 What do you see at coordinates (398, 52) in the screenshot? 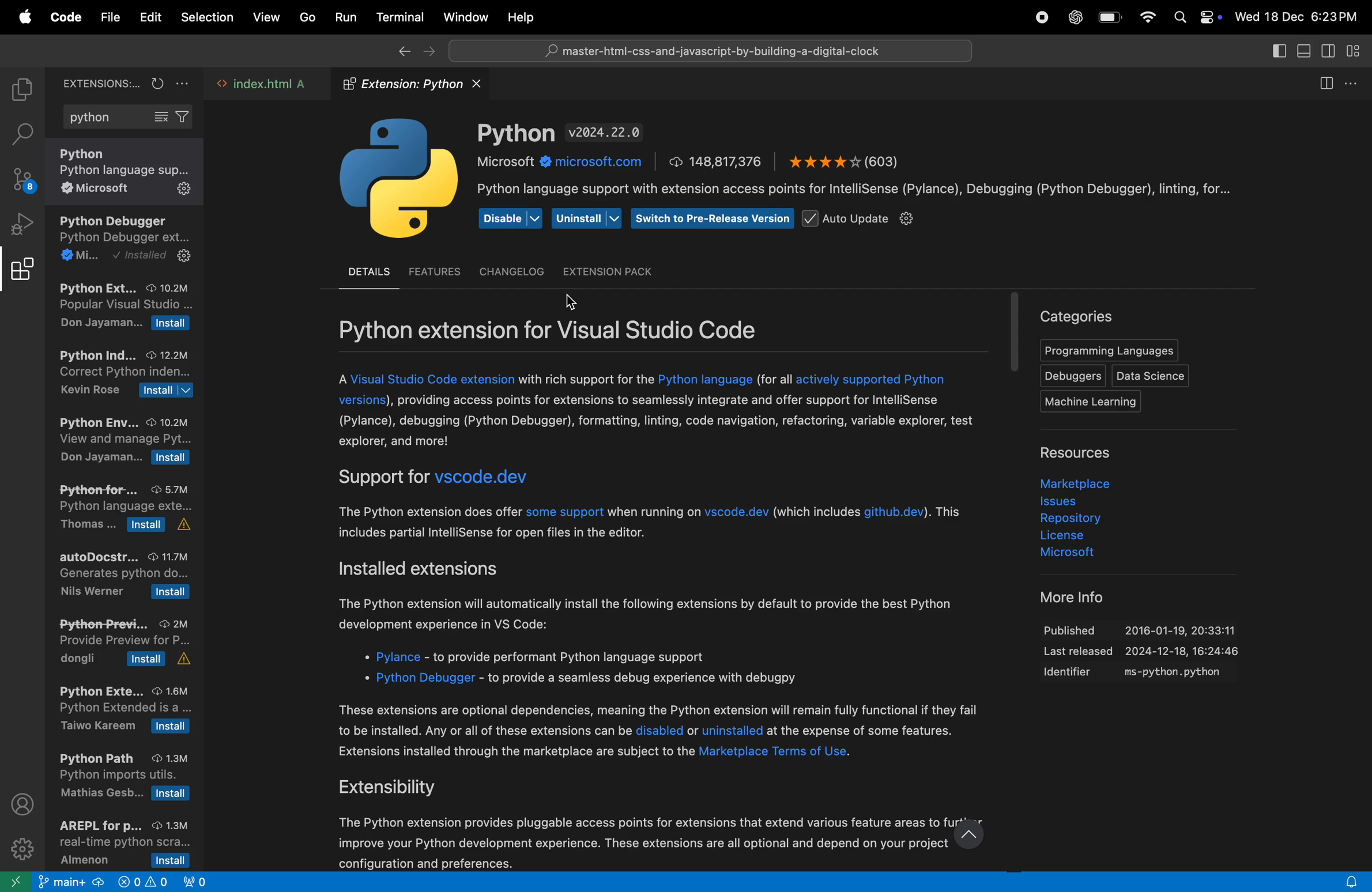
I see `backward` at bounding box center [398, 52].